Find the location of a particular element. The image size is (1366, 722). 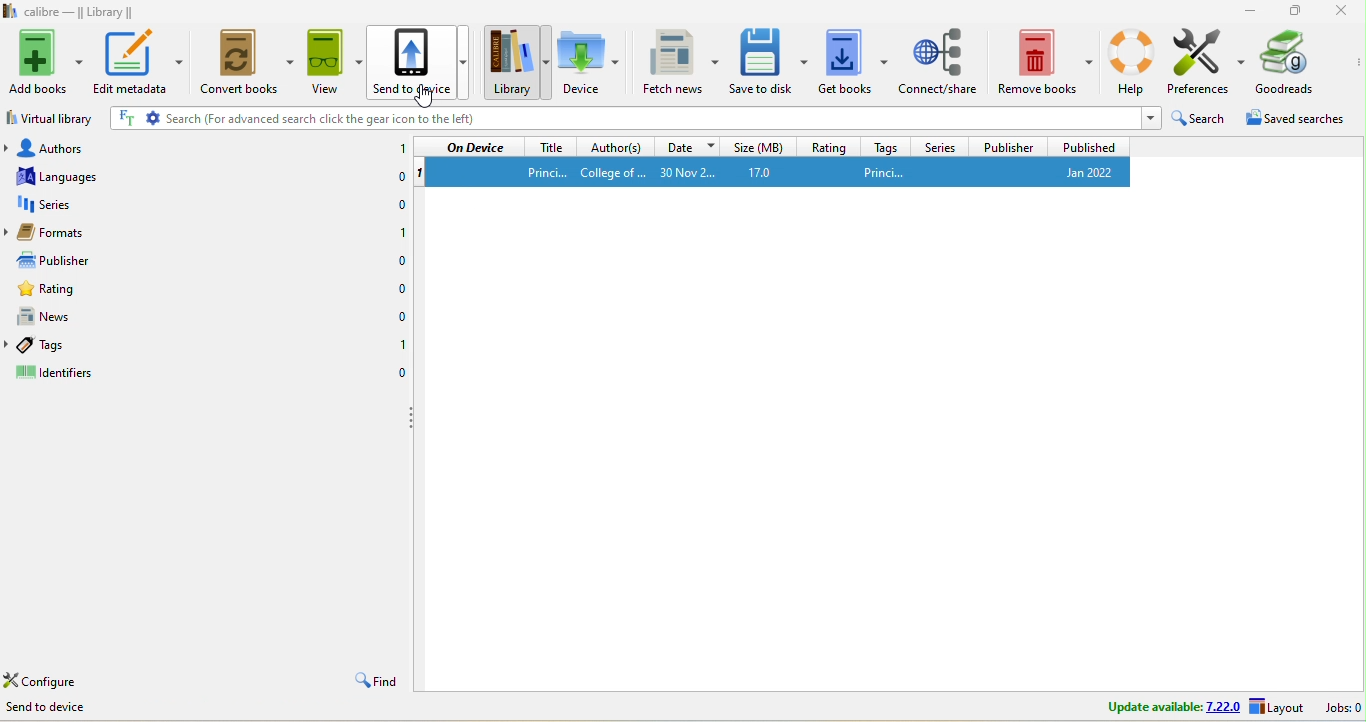

layout is located at coordinates (1276, 705).